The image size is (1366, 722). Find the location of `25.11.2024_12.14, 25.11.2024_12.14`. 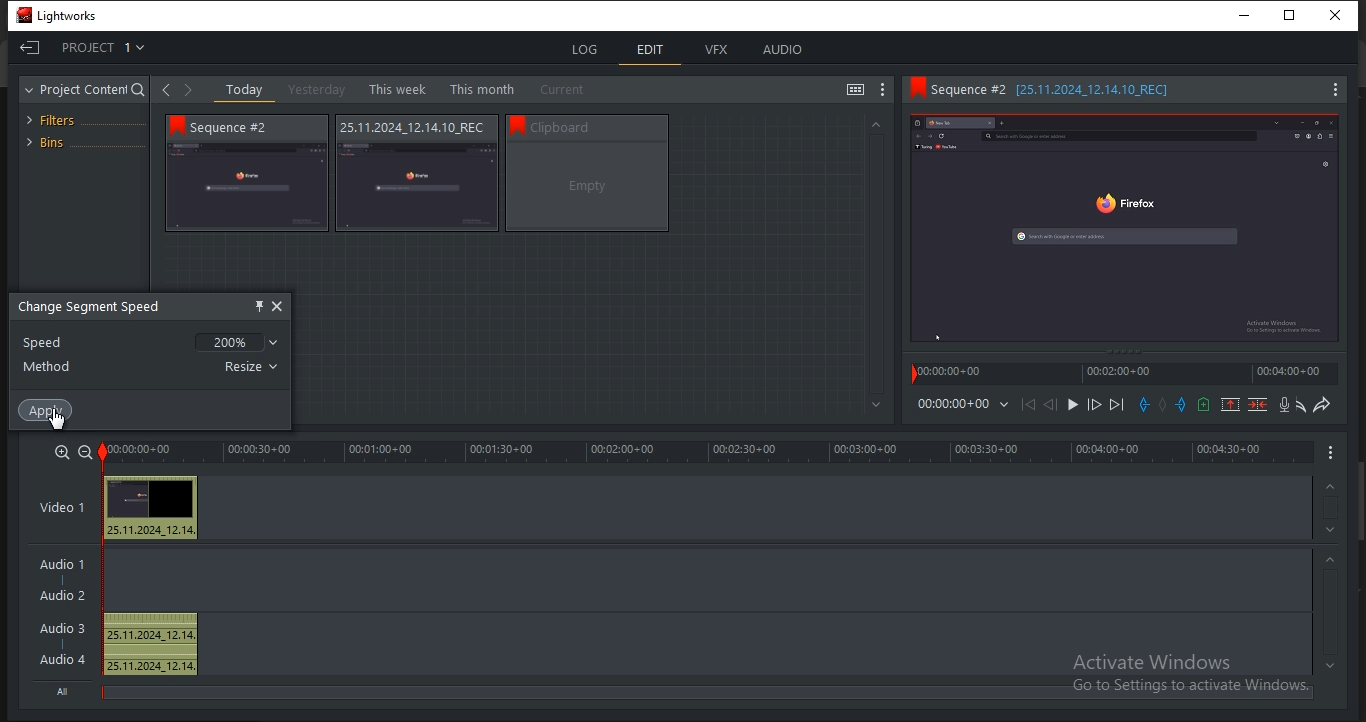

25.11.2024_12.14, 25.11.2024_12.14 is located at coordinates (154, 645).